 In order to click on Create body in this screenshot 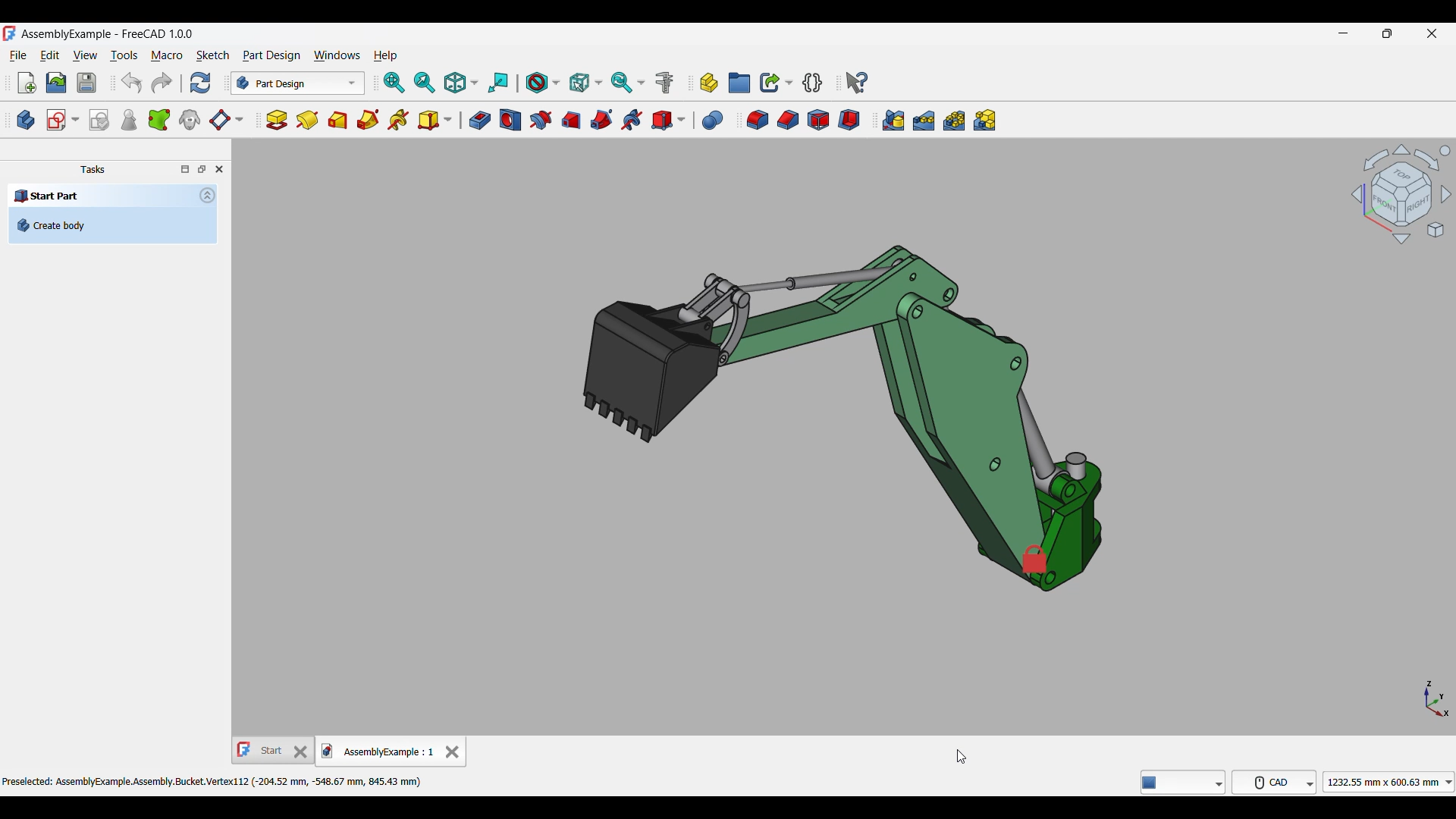, I will do `click(26, 120)`.